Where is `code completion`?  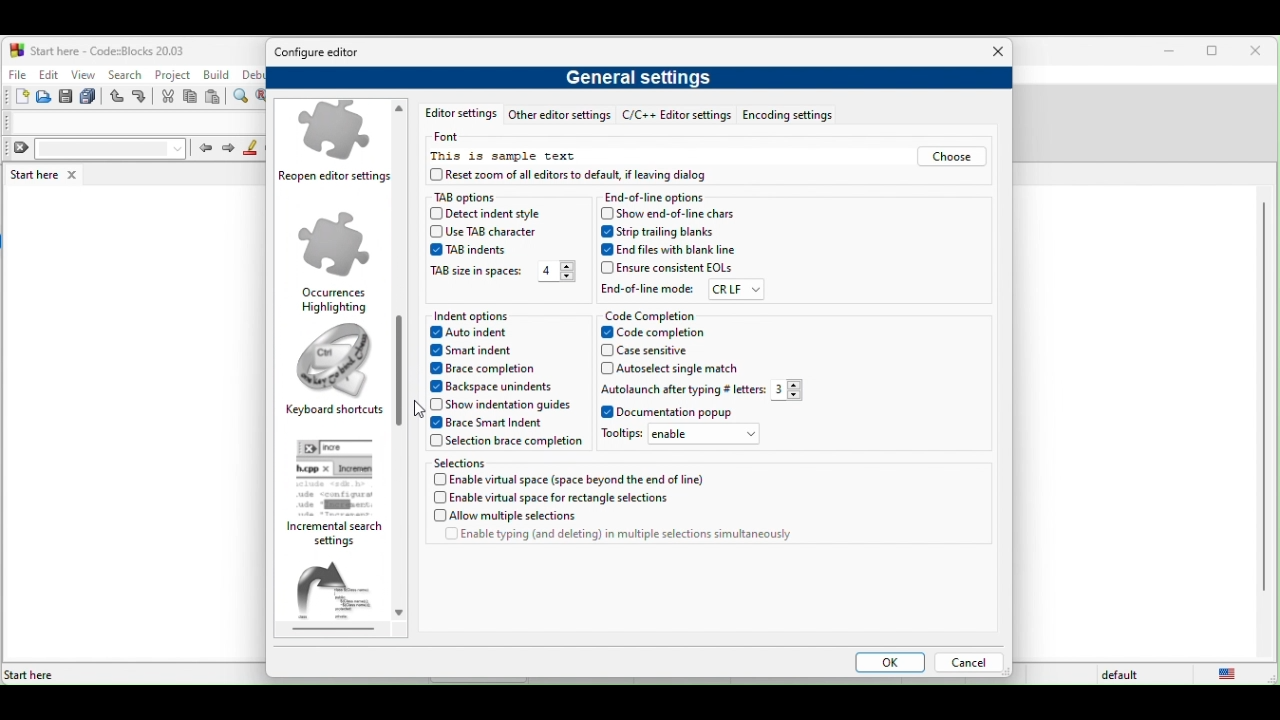 code completion is located at coordinates (670, 333).